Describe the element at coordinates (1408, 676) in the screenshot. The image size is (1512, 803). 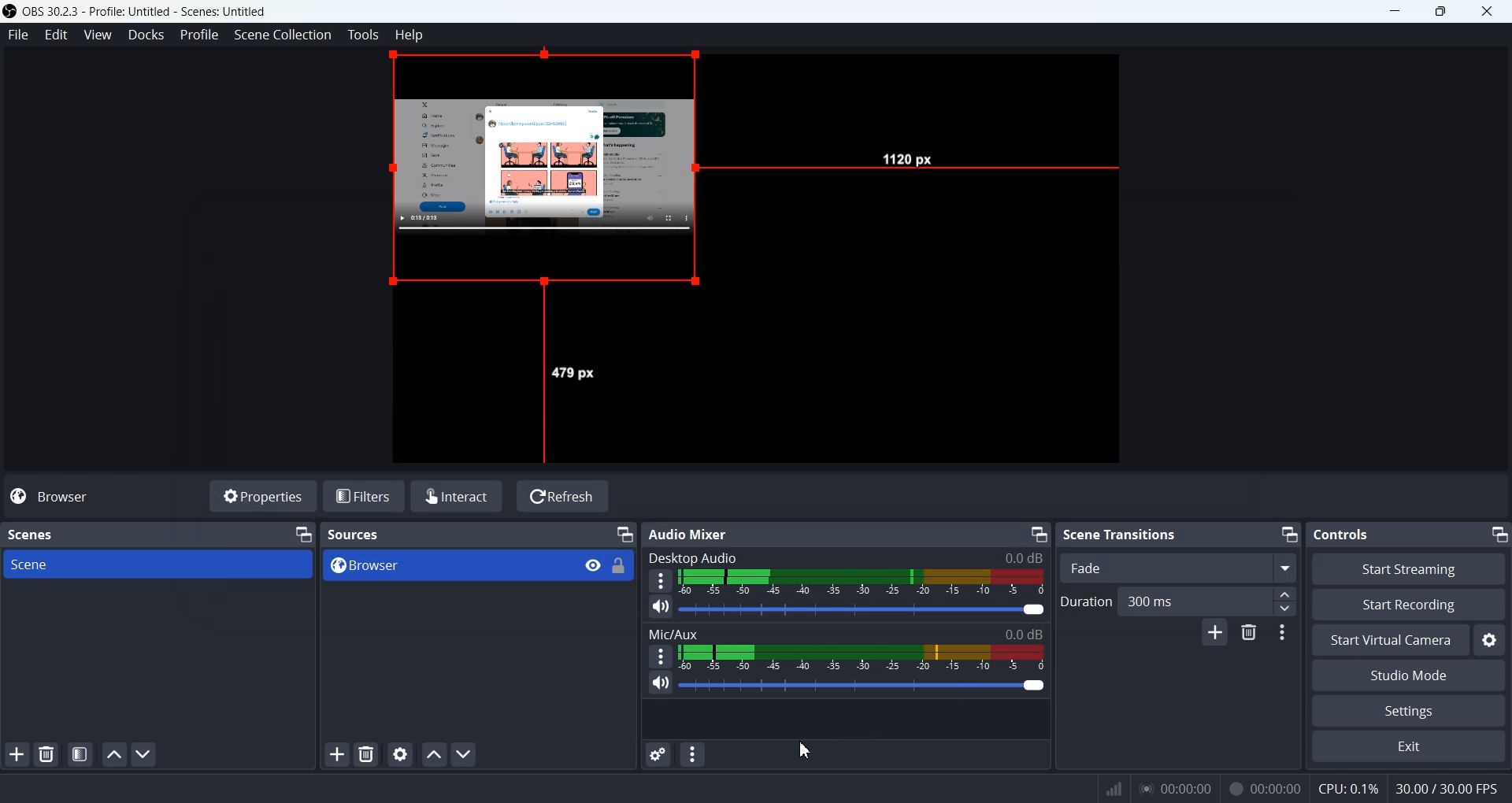
I see `Studio Mode` at that location.